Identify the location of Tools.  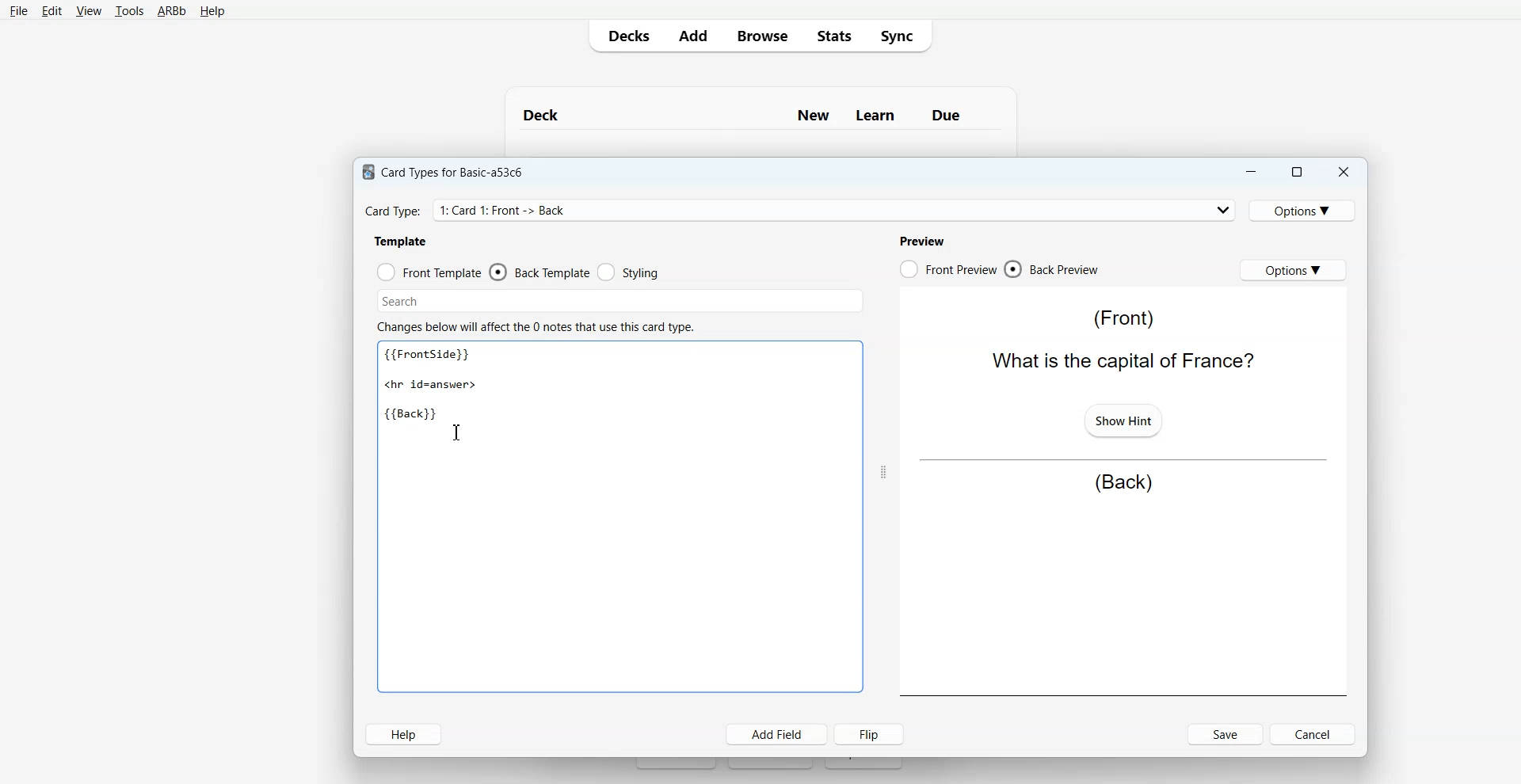
(129, 12).